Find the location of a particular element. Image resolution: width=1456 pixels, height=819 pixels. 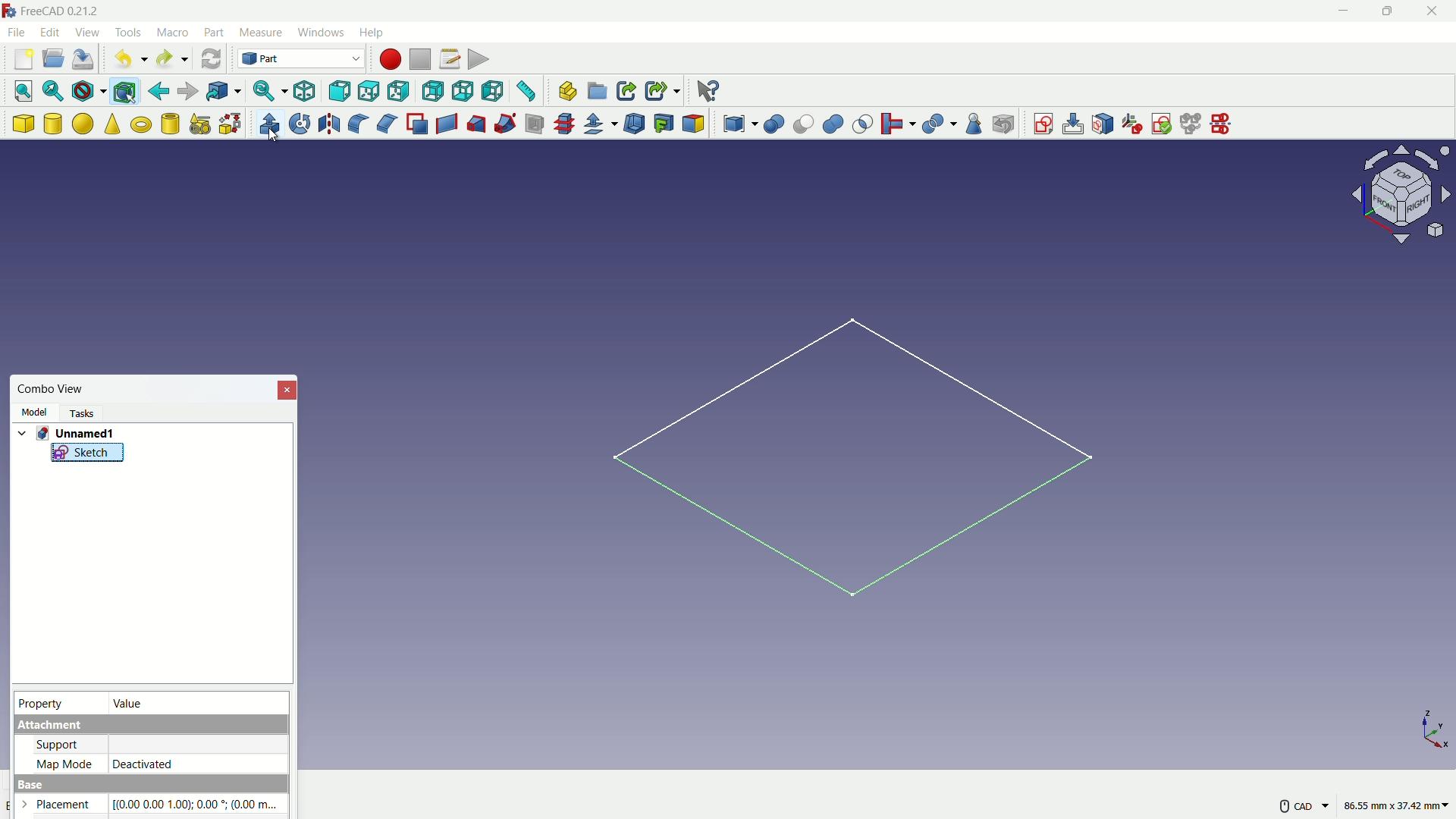

[(0.00 0.00 1.00); (0.00m)  is located at coordinates (199, 804).